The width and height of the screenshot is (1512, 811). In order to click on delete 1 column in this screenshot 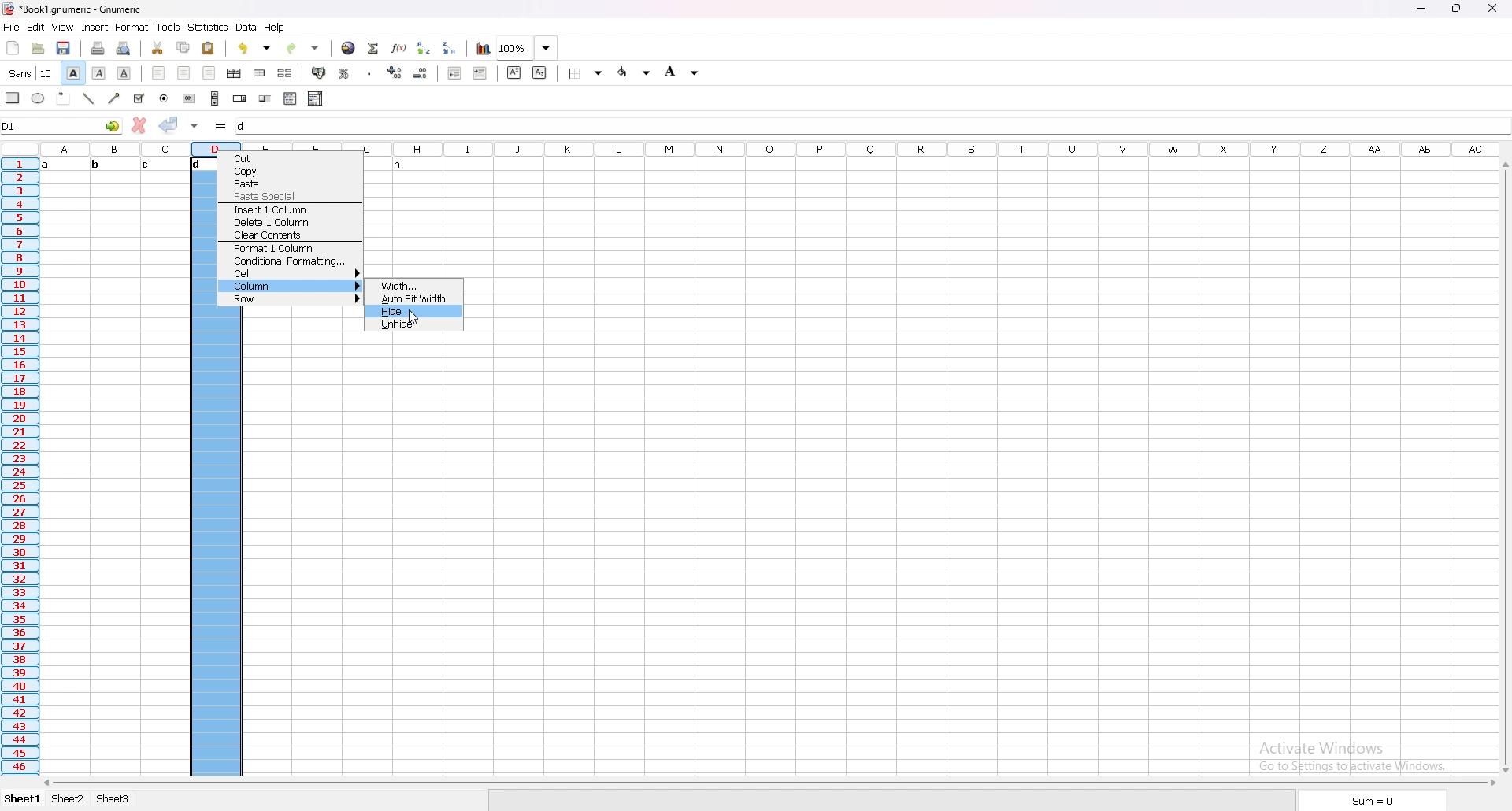, I will do `click(291, 222)`.